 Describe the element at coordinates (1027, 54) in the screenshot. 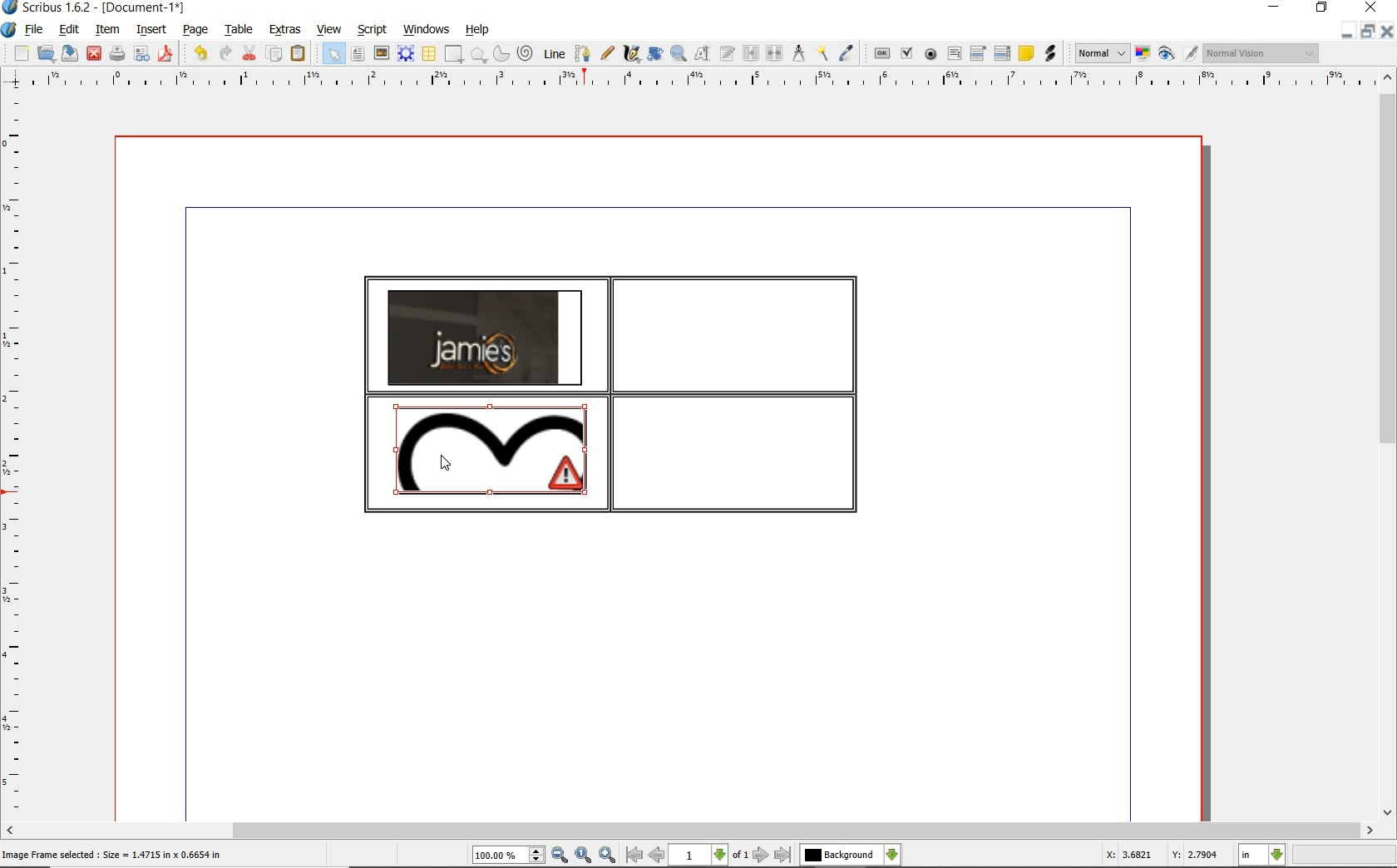

I see `text annotation` at that location.